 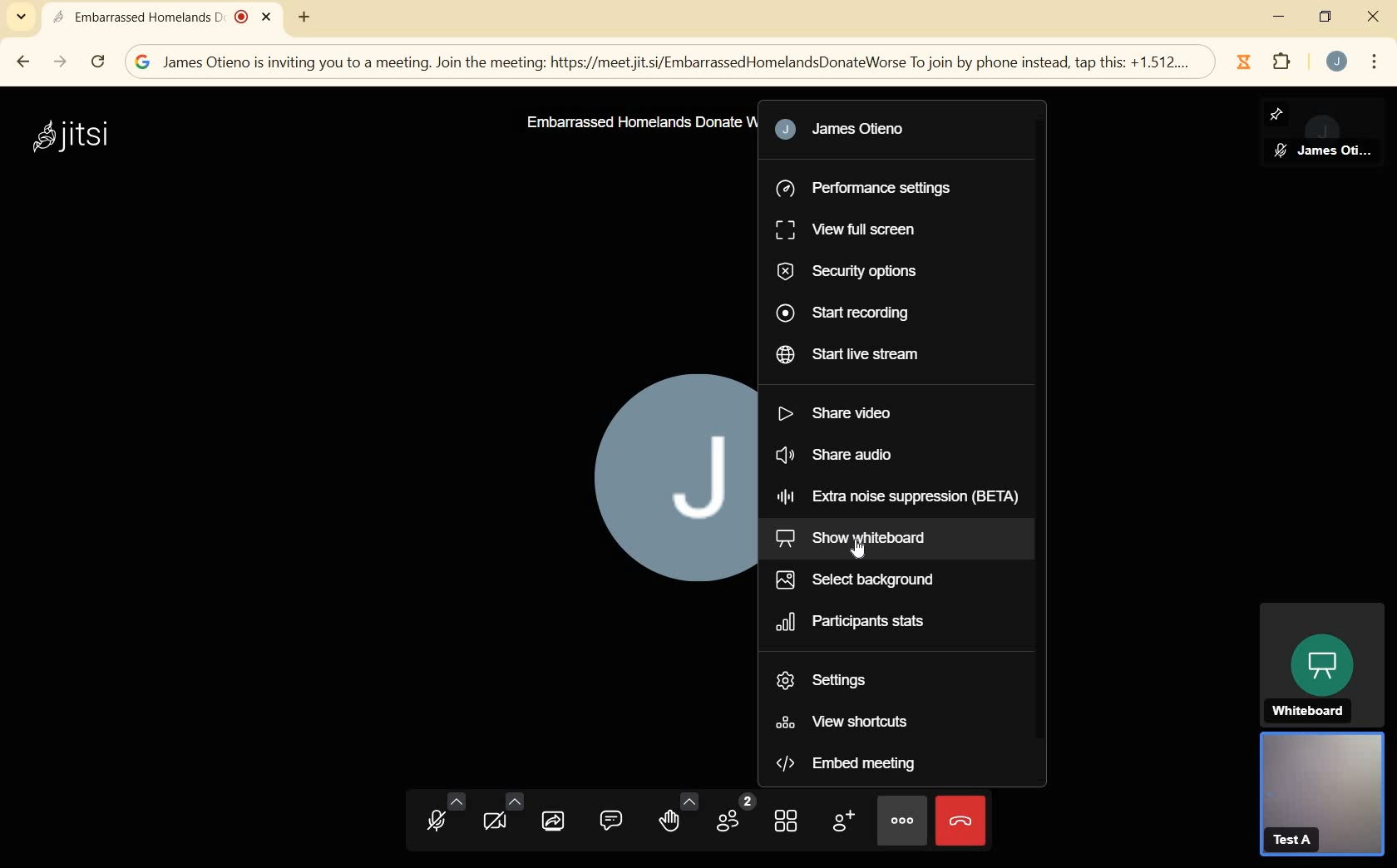 I want to click on close, so click(x=1372, y=17).